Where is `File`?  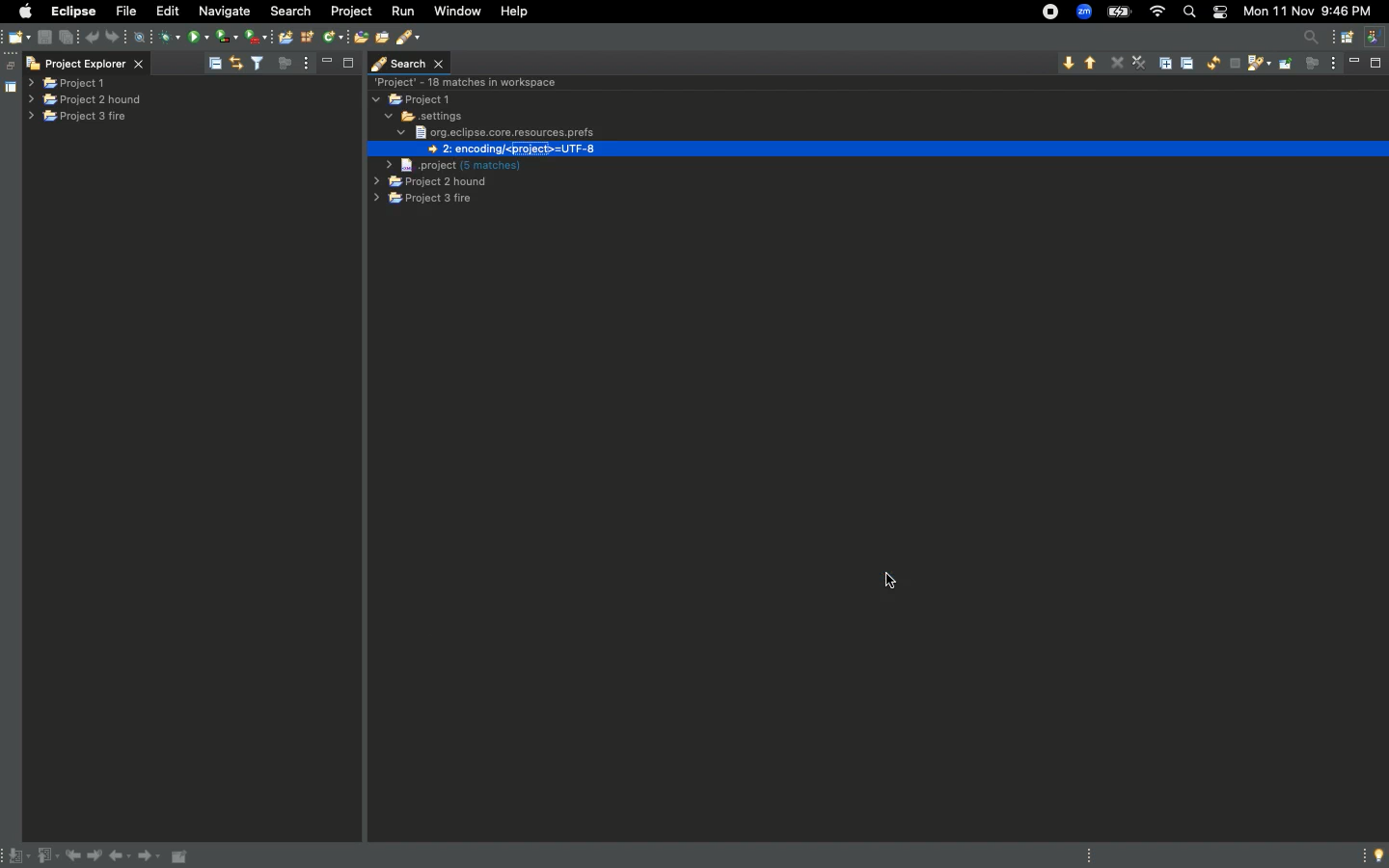
File is located at coordinates (128, 12).